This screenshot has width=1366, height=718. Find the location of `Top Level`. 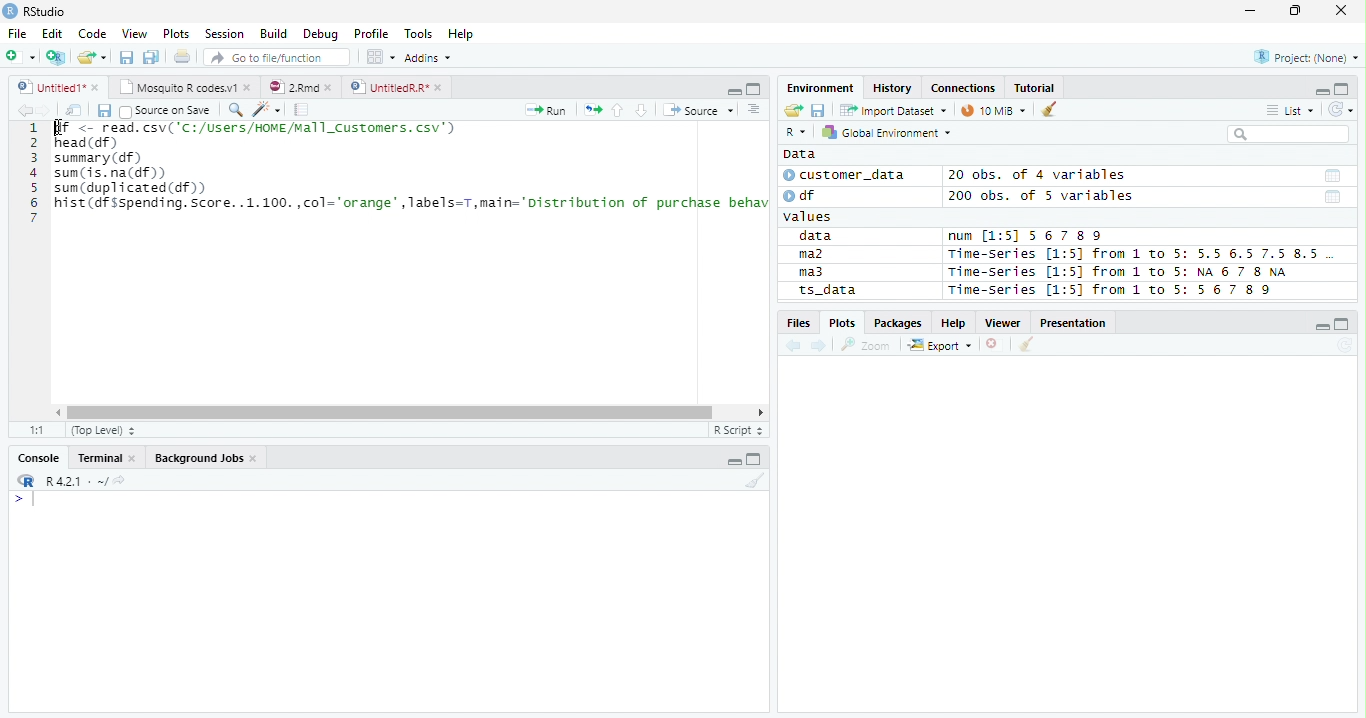

Top Level is located at coordinates (101, 431).